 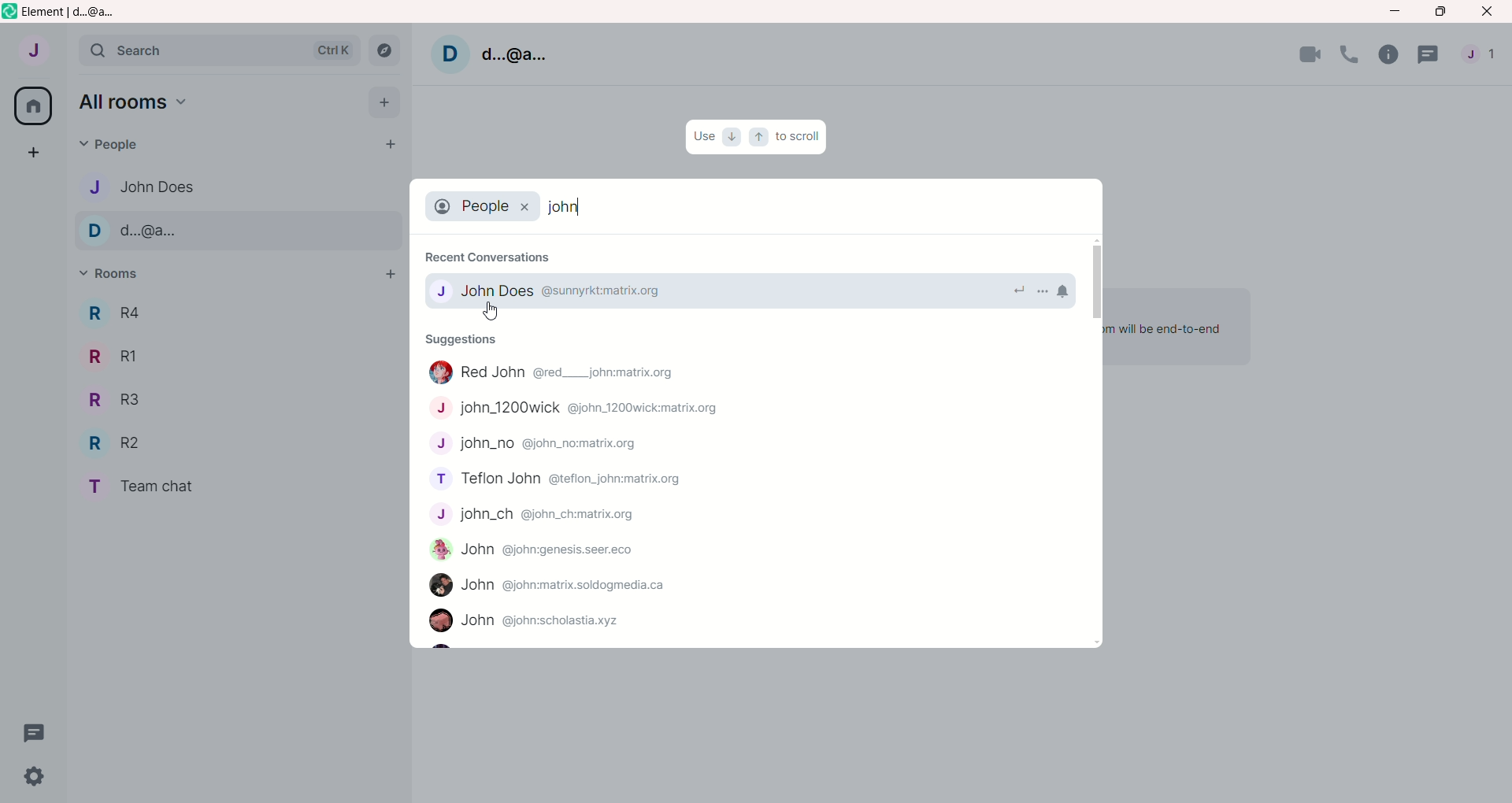 What do you see at coordinates (800, 138) in the screenshot?
I see `to scroll` at bounding box center [800, 138].